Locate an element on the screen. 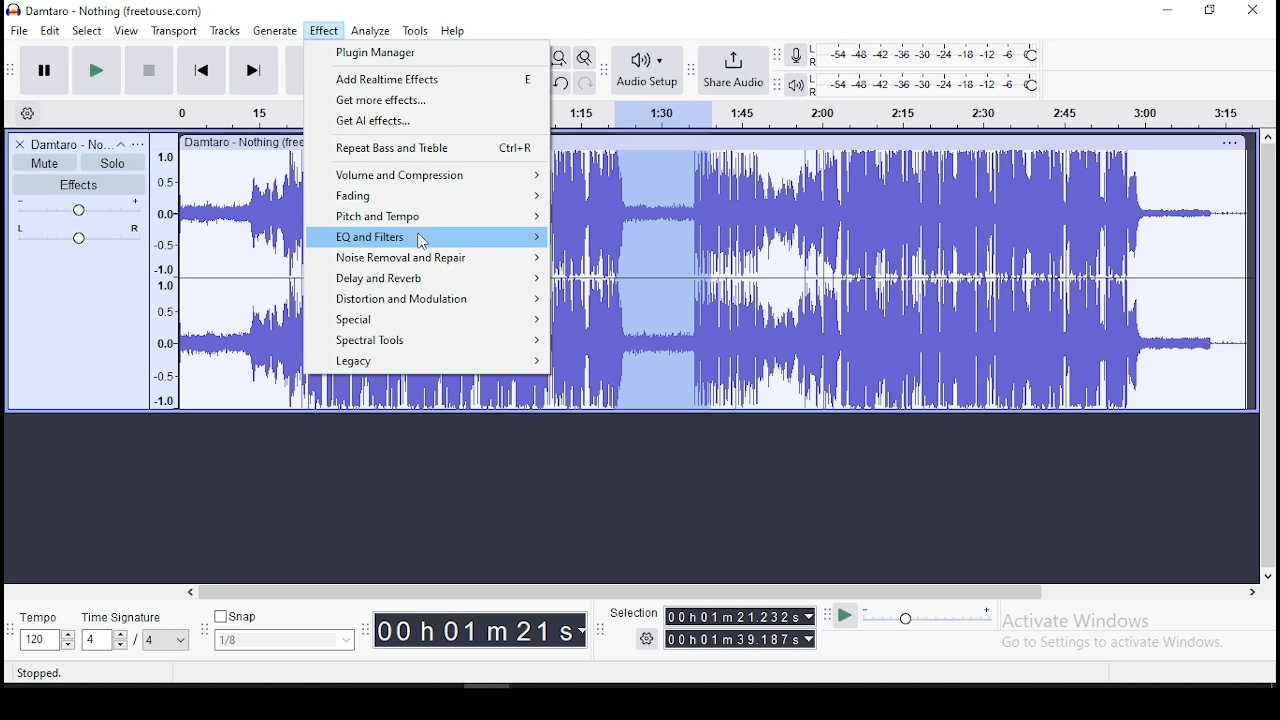  audio track is located at coordinates (901, 213).